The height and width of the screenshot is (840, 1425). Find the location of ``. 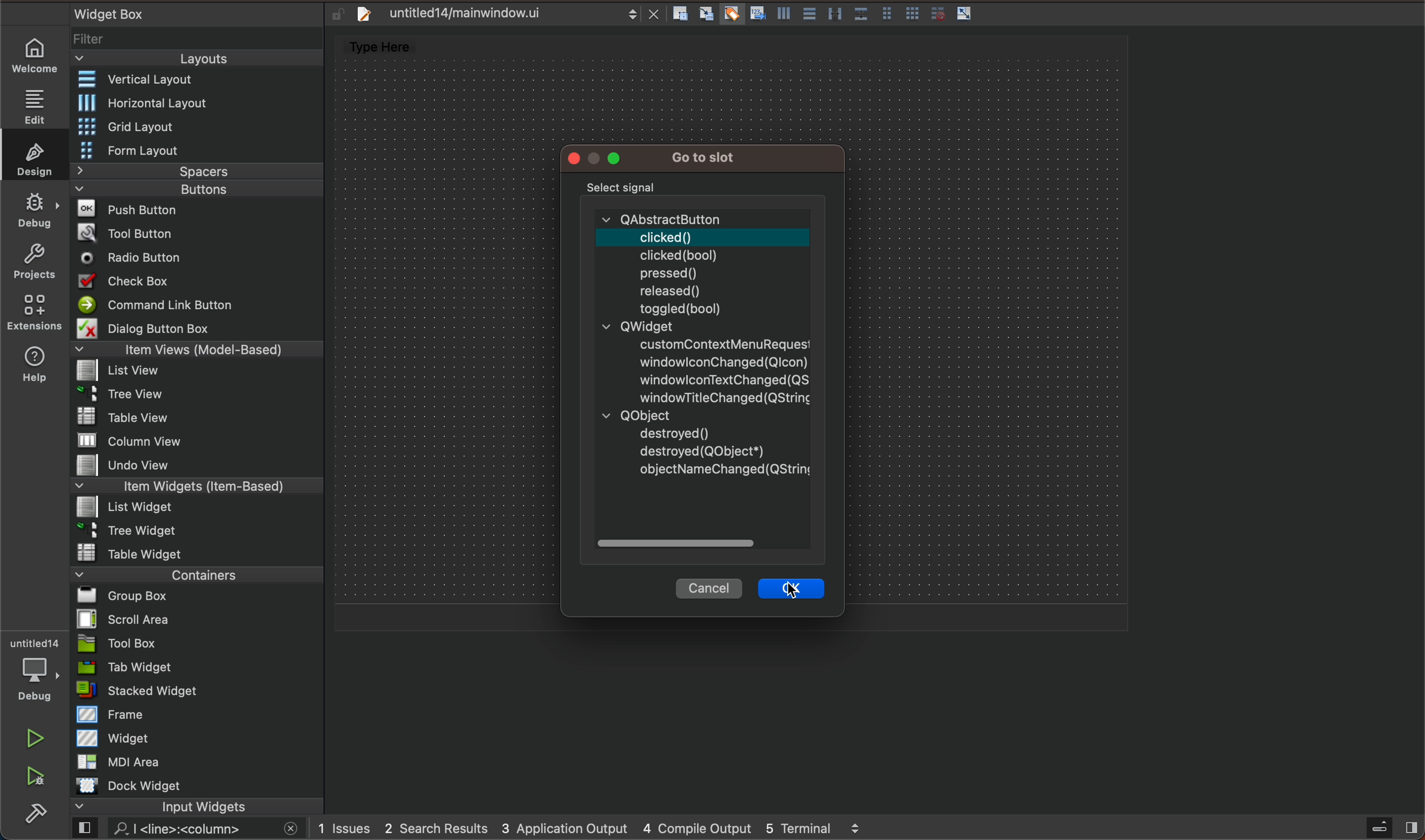

 is located at coordinates (836, 13).